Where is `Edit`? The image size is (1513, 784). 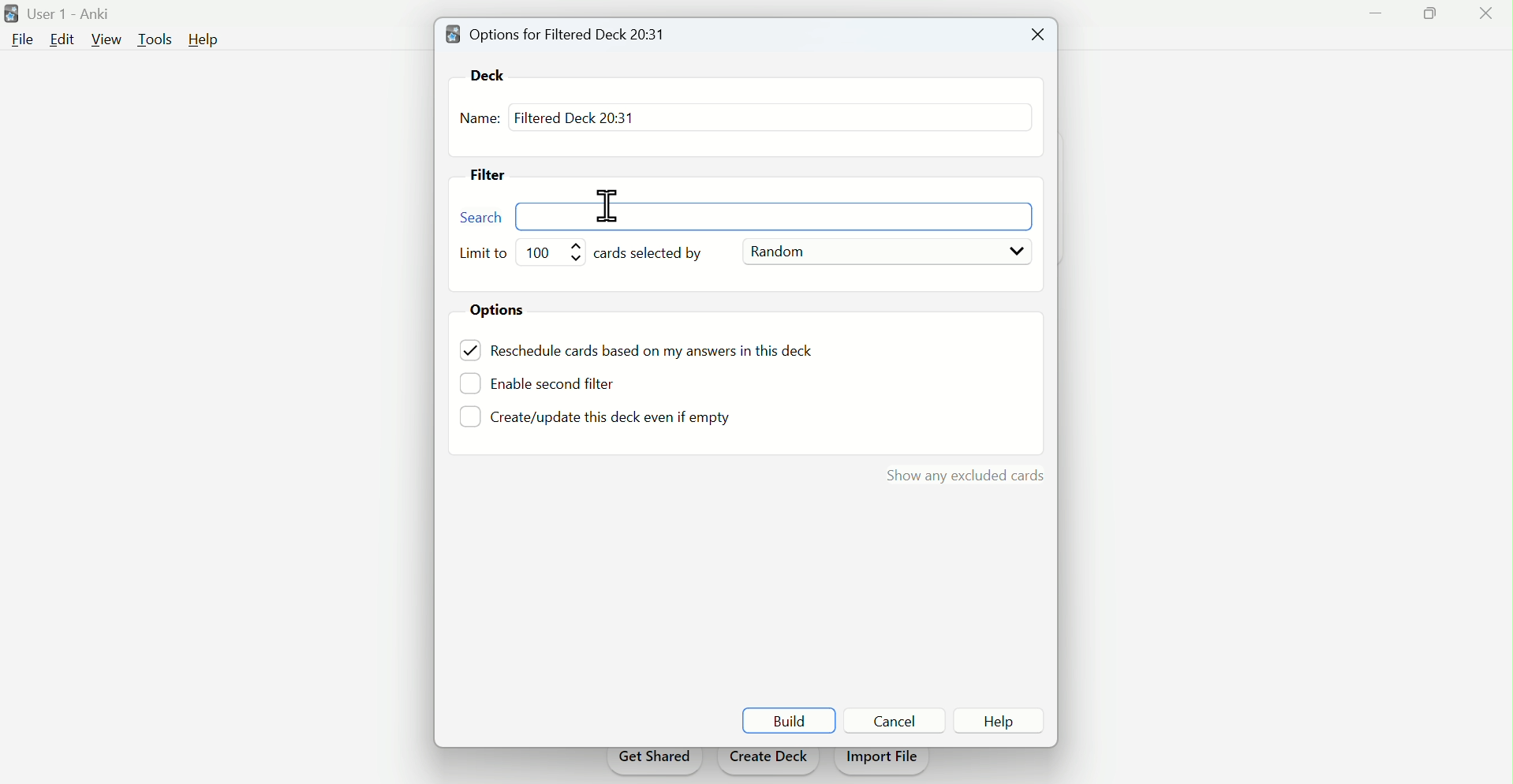
Edit is located at coordinates (61, 39).